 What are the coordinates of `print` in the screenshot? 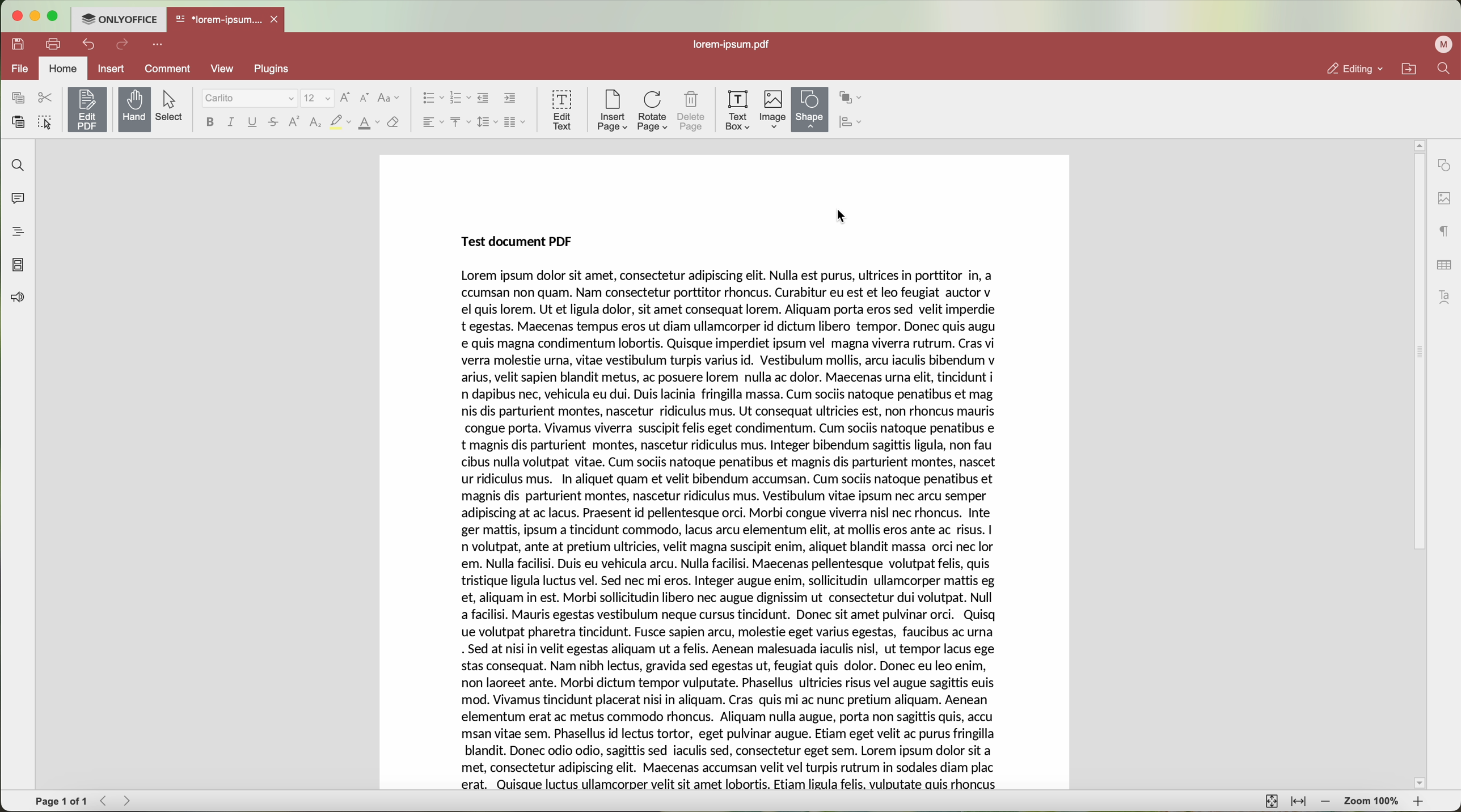 It's located at (54, 43).